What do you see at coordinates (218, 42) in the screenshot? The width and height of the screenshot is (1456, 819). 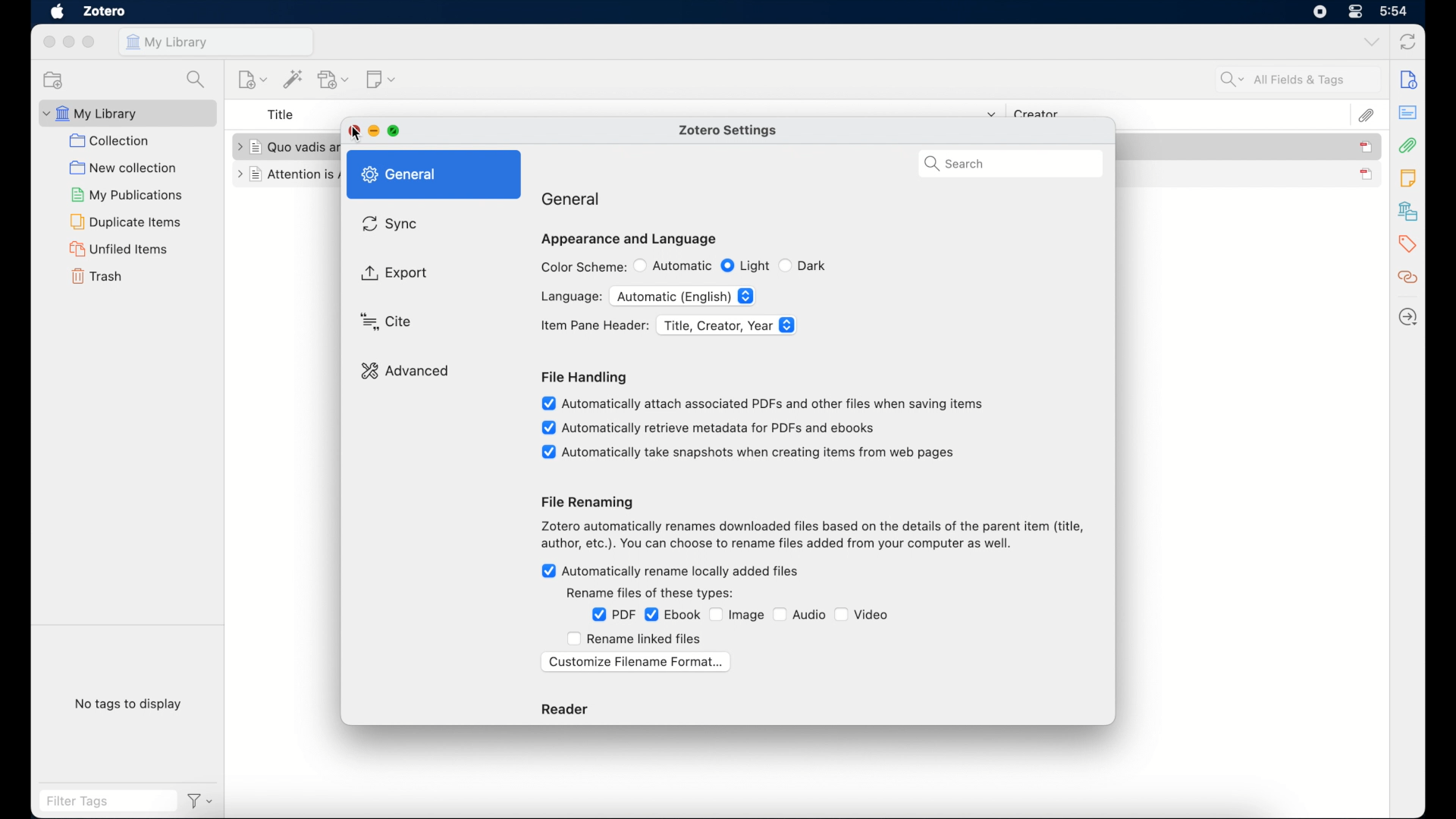 I see `my library tab` at bounding box center [218, 42].